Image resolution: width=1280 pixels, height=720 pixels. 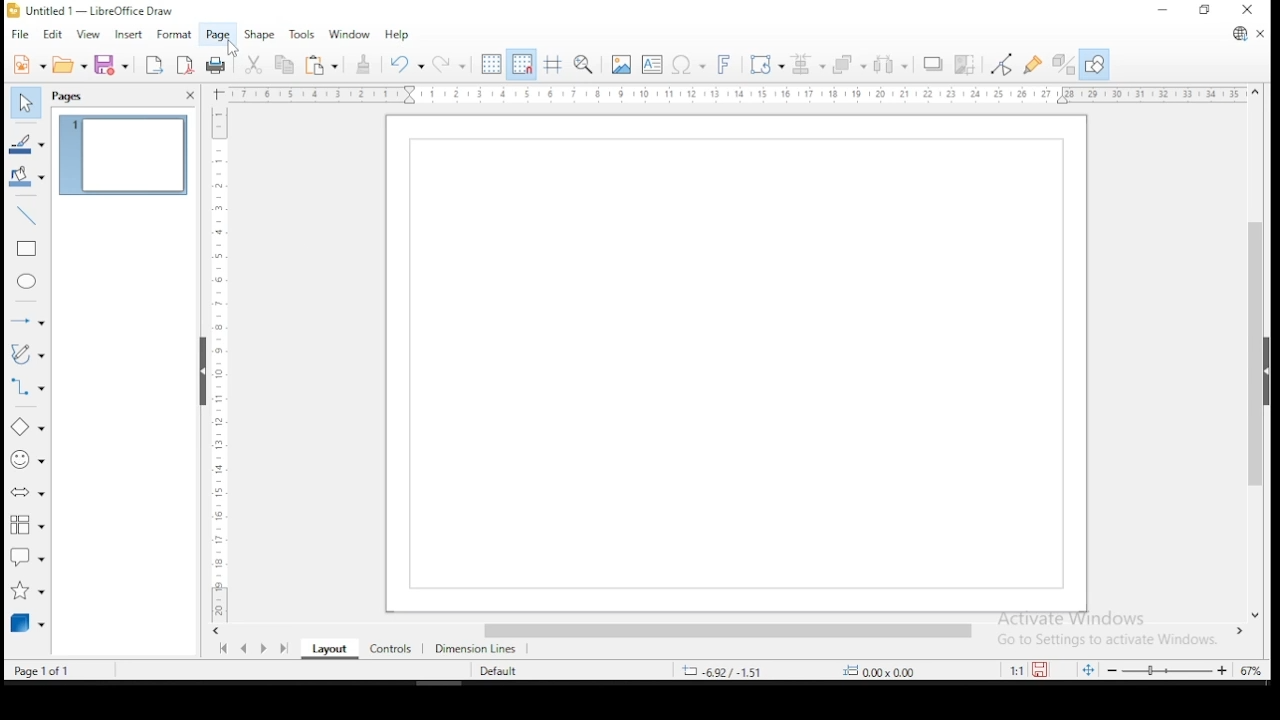 I want to click on curves and polygons, so click(x=27, y=355).